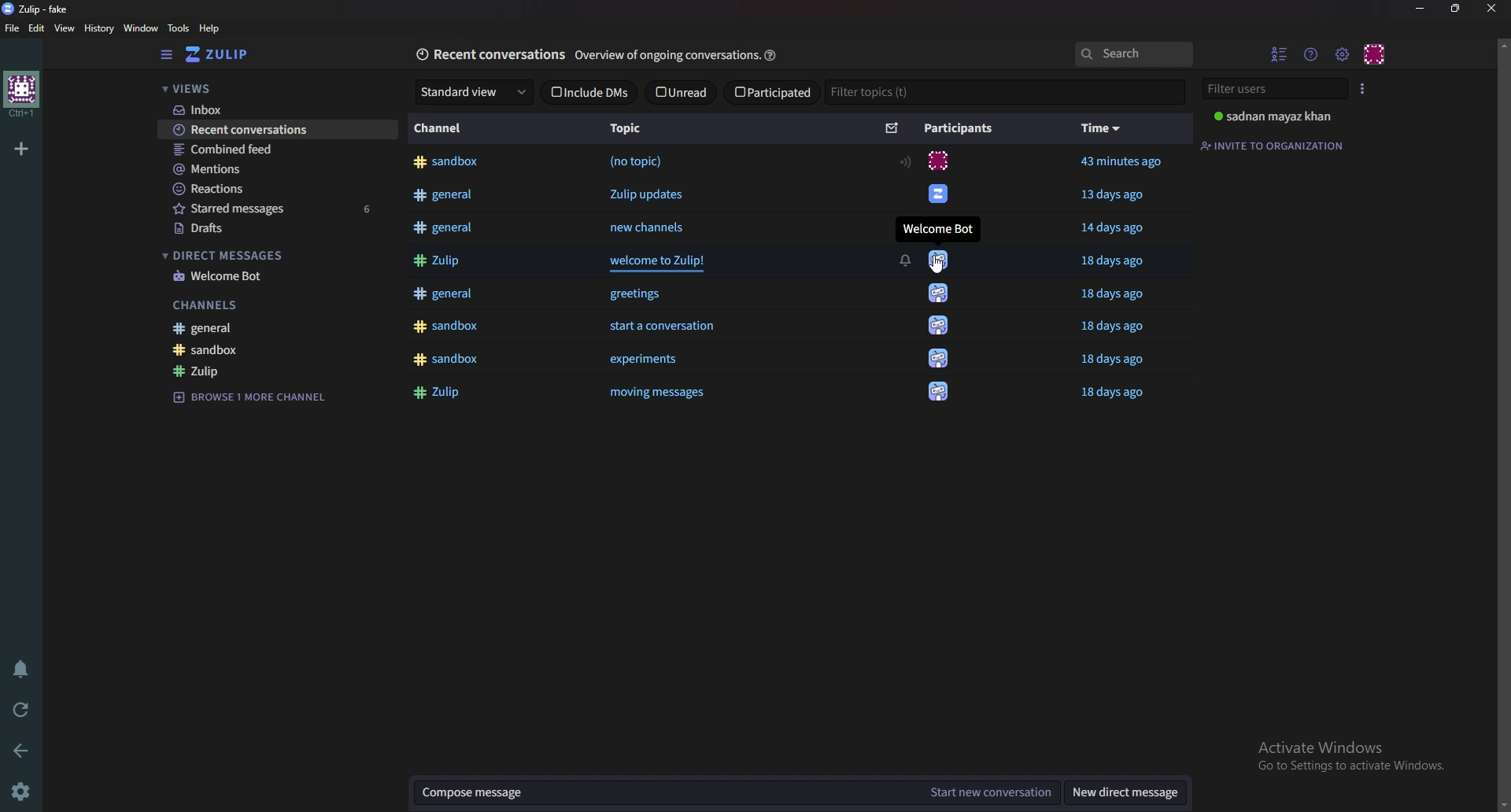 The width and height of the screenshot is (1511, 812). I want to click on Recent conversationts, so click(489, 54).